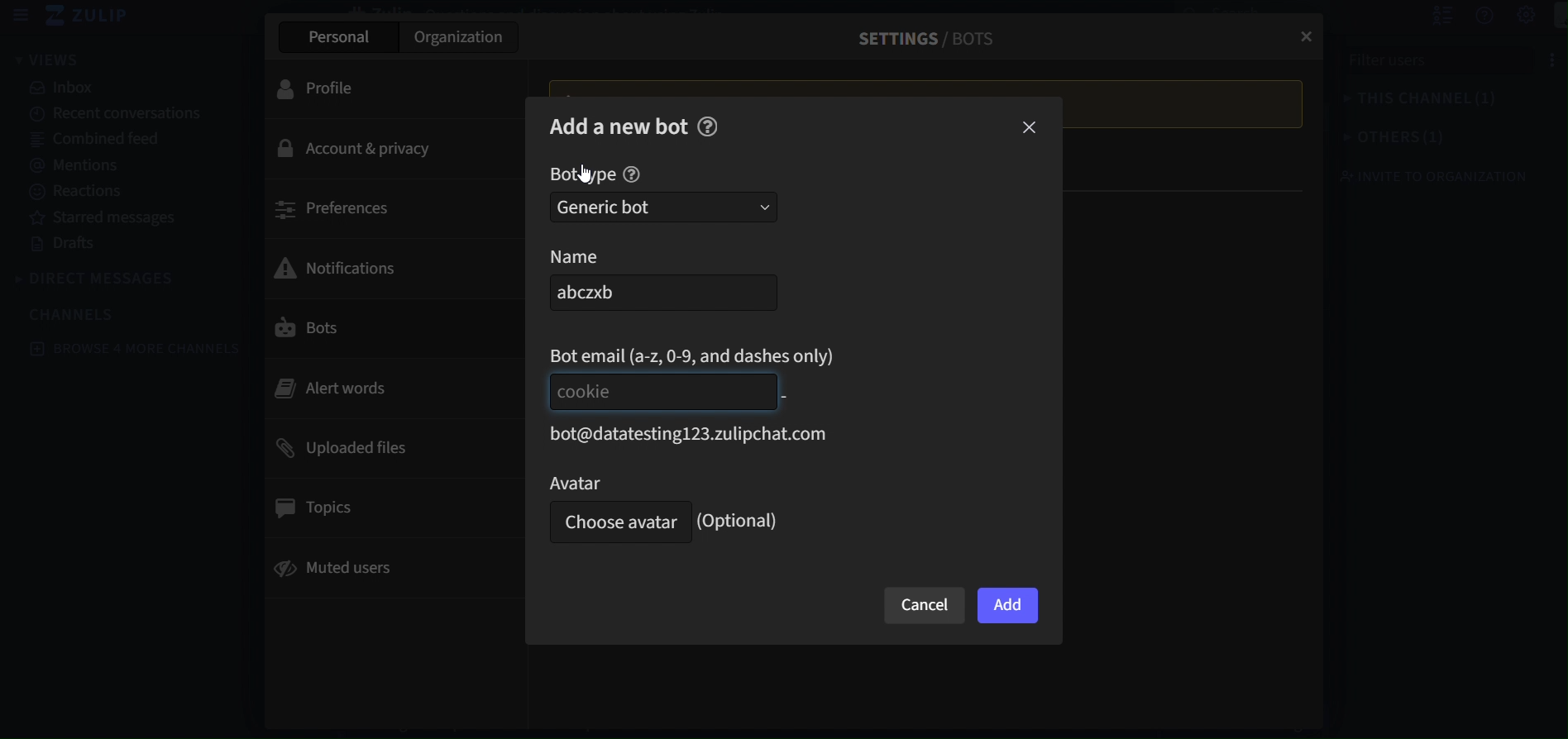 The width and height of the screenshot is (1568, 739). What do you see at coordinates (614, 482) in the screenshot?
I see `avatar` at bounding box center [614, 482].